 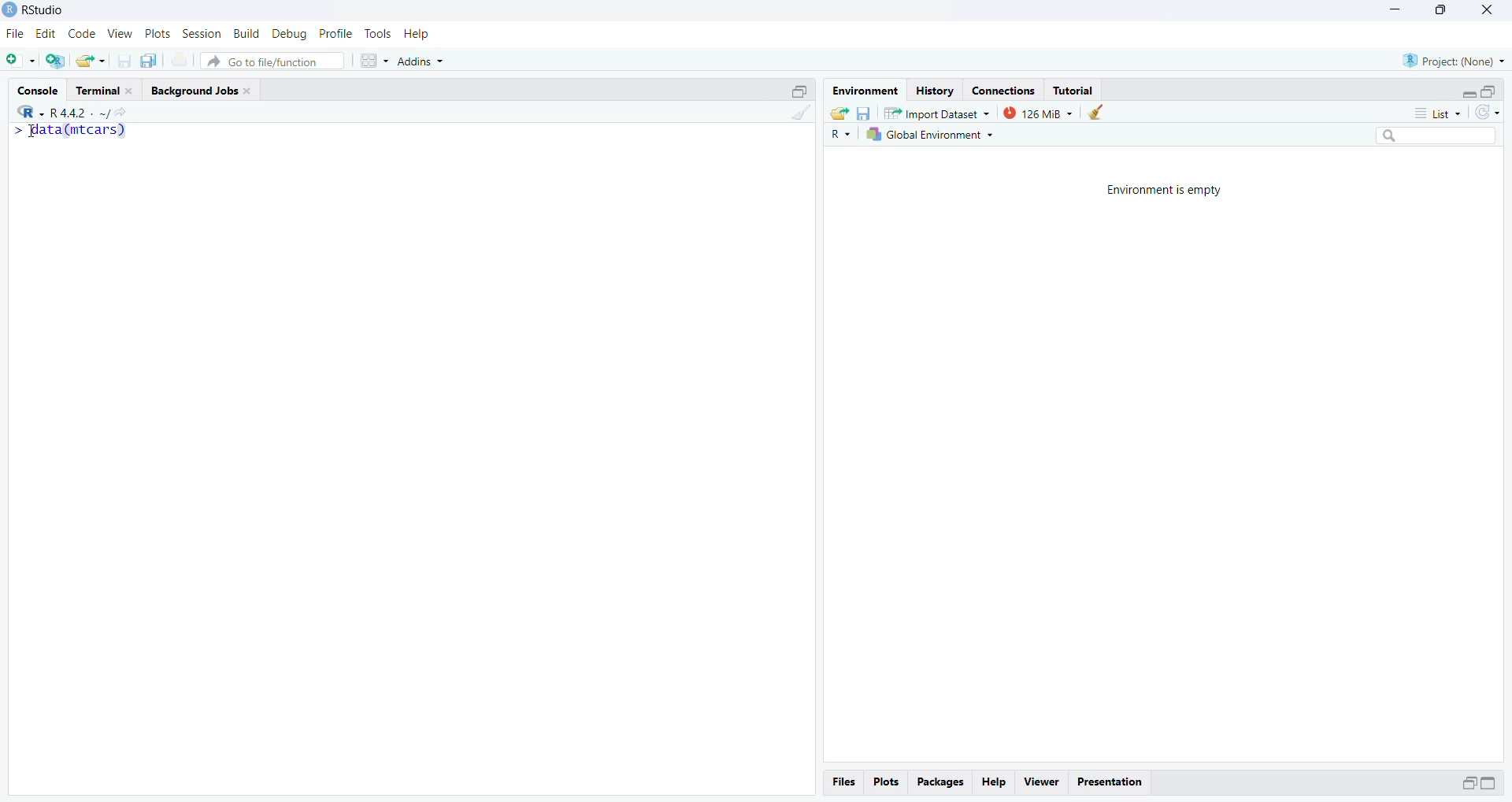 What do you see at coordinates (1469, 94) in the screenshot?
I see `minimize` at bounding box center [1469, 94].